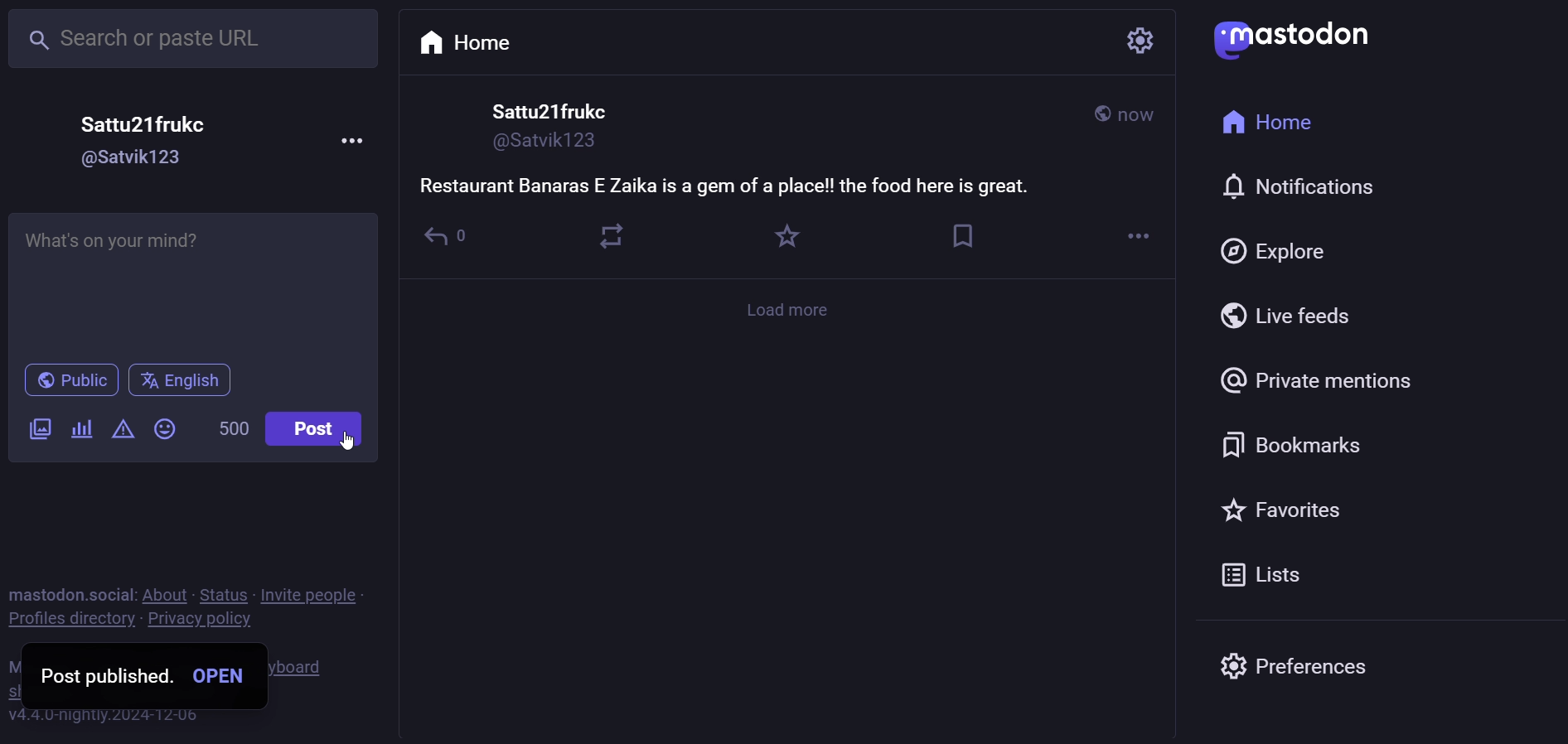  What do you see at coordinates (108, 675) in the screenshot?
I see `post published` at bounding box center [108, 675].